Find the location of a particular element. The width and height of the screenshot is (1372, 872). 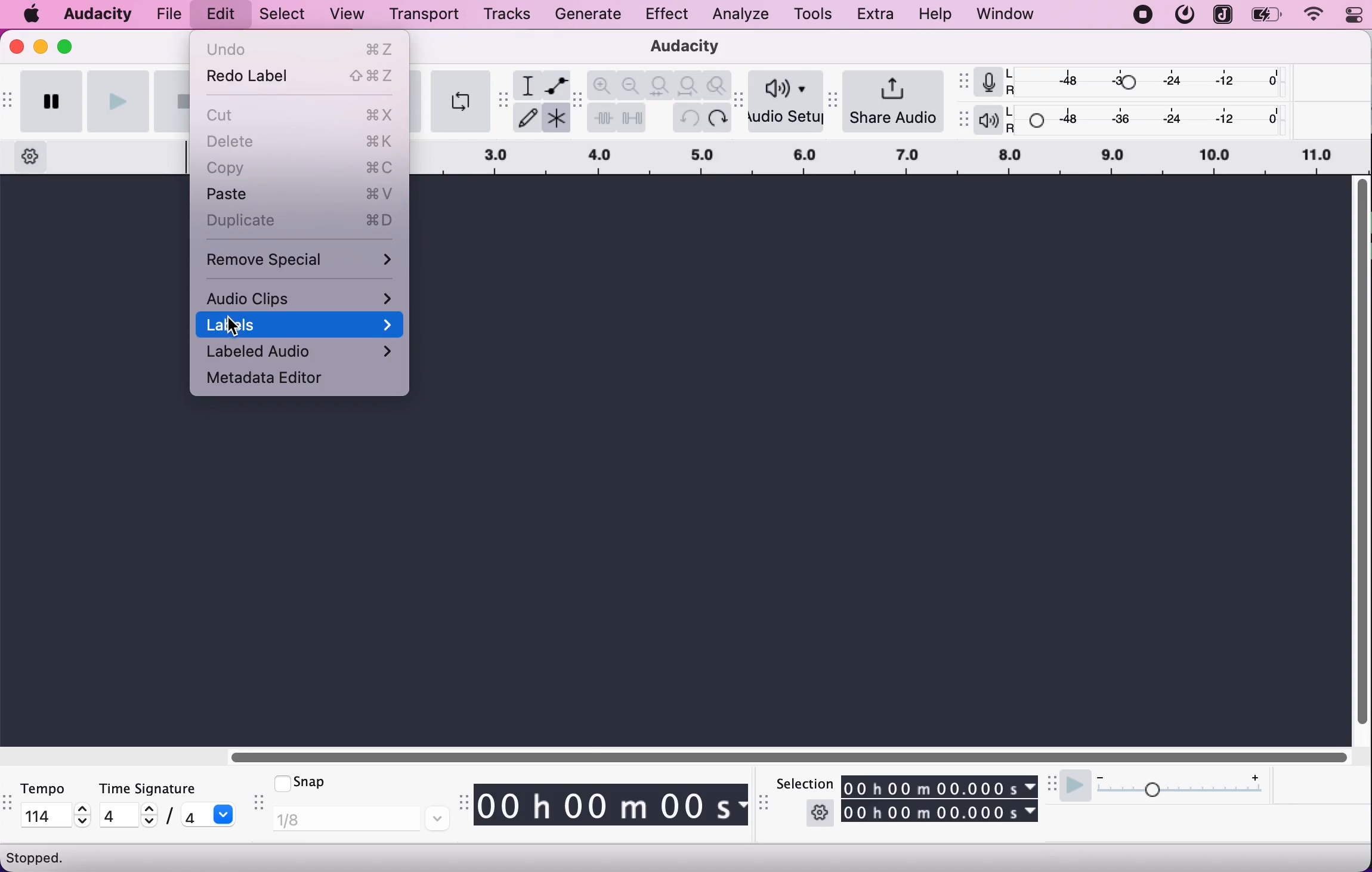

minimize is located at coordinates (41, 46).